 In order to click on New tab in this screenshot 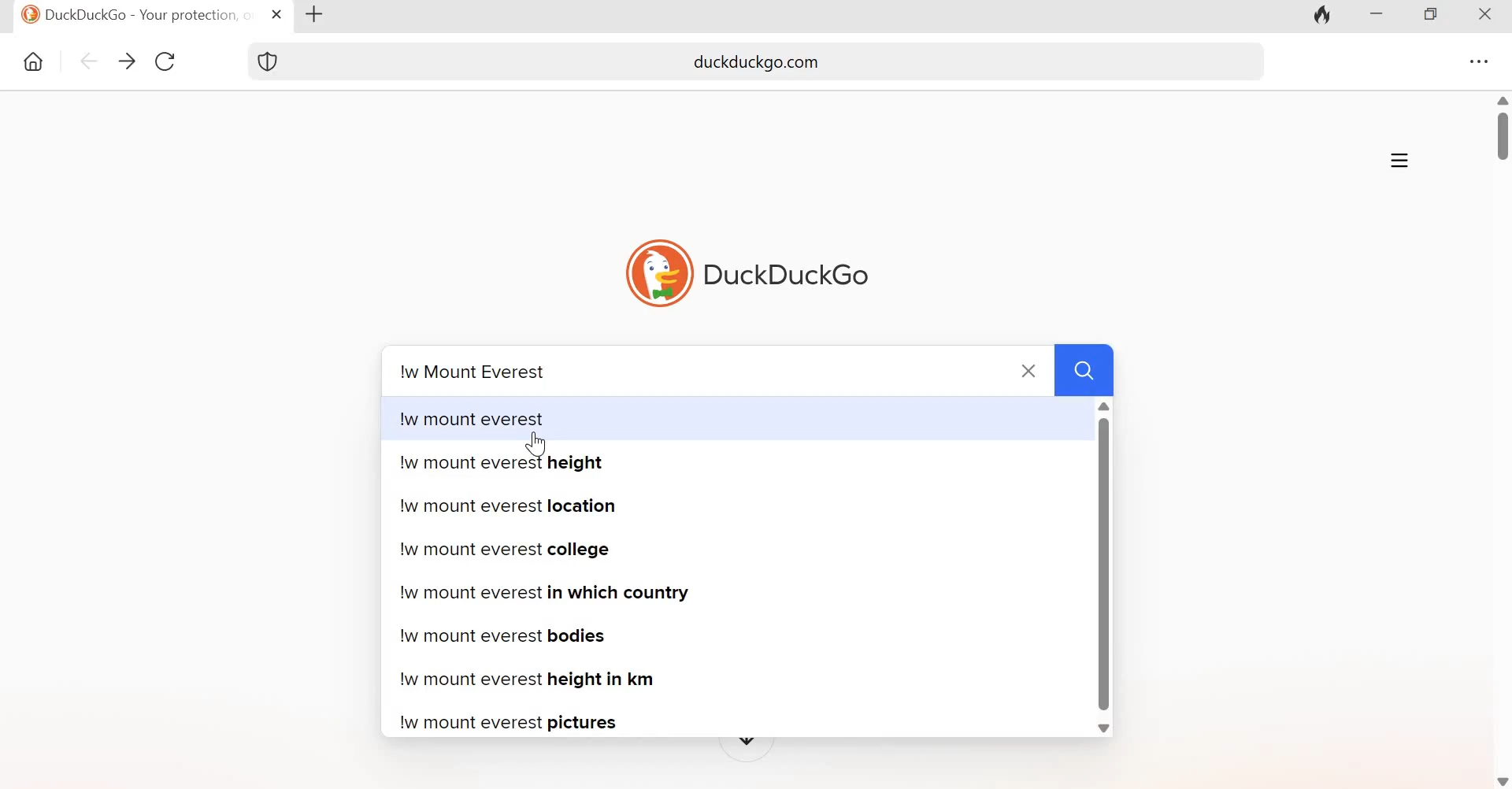, I will do `click(321, 14)`.